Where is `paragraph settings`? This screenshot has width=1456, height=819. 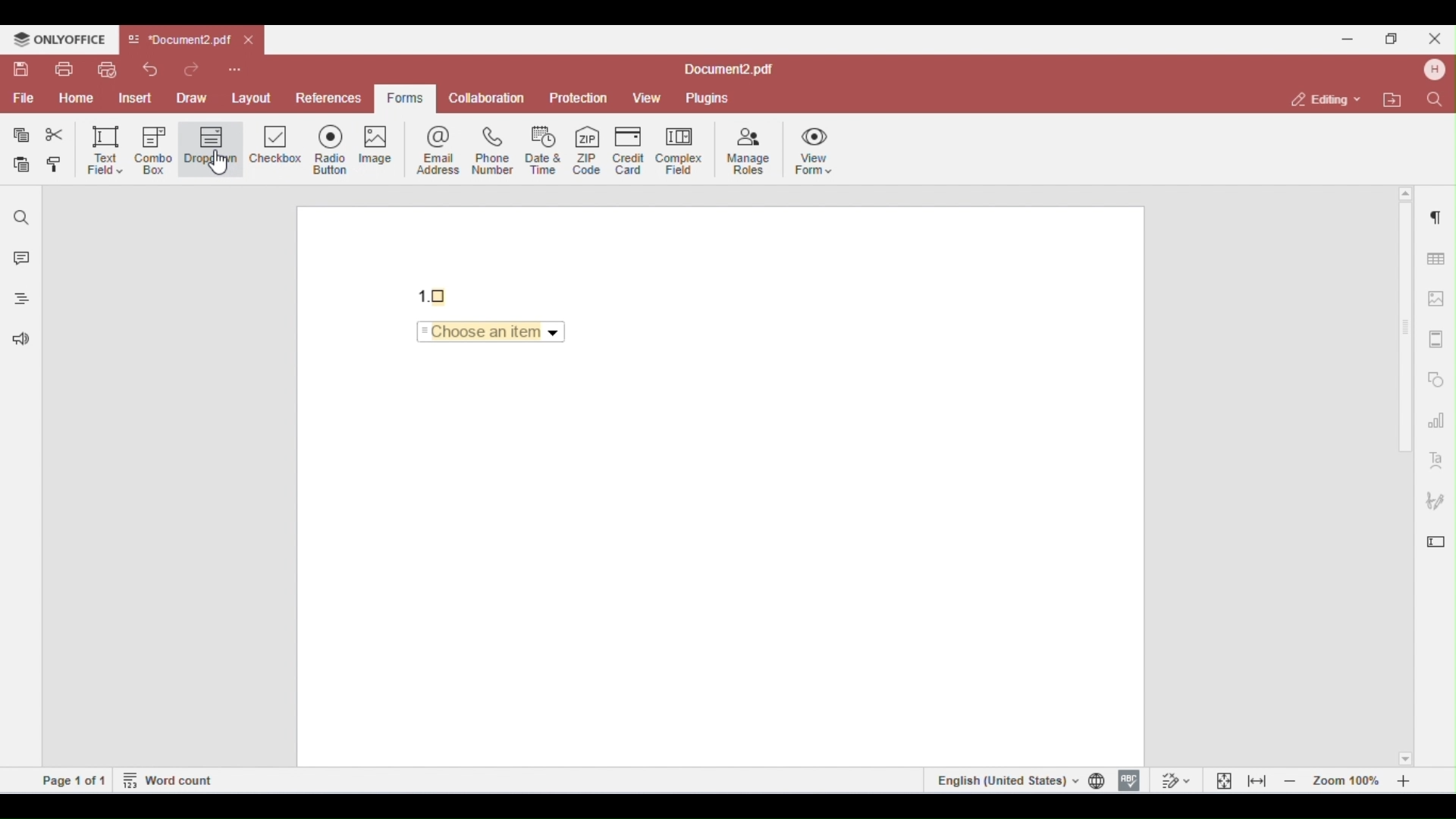 paragraph settings is located at coordinates (1432, 214).